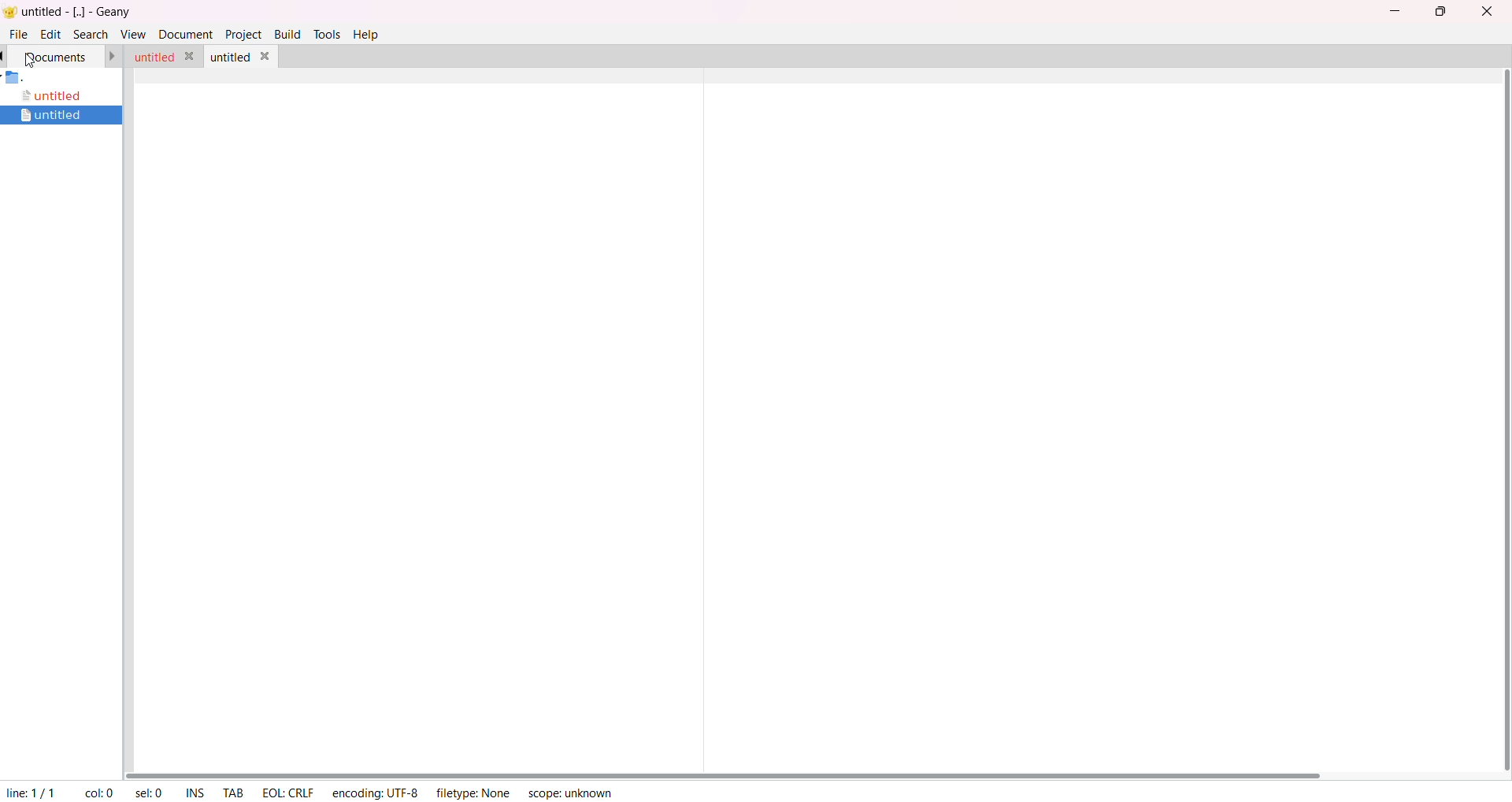 This screenshot has height=802, width=1512. I want to click on Geany logo, so click(9, 10).